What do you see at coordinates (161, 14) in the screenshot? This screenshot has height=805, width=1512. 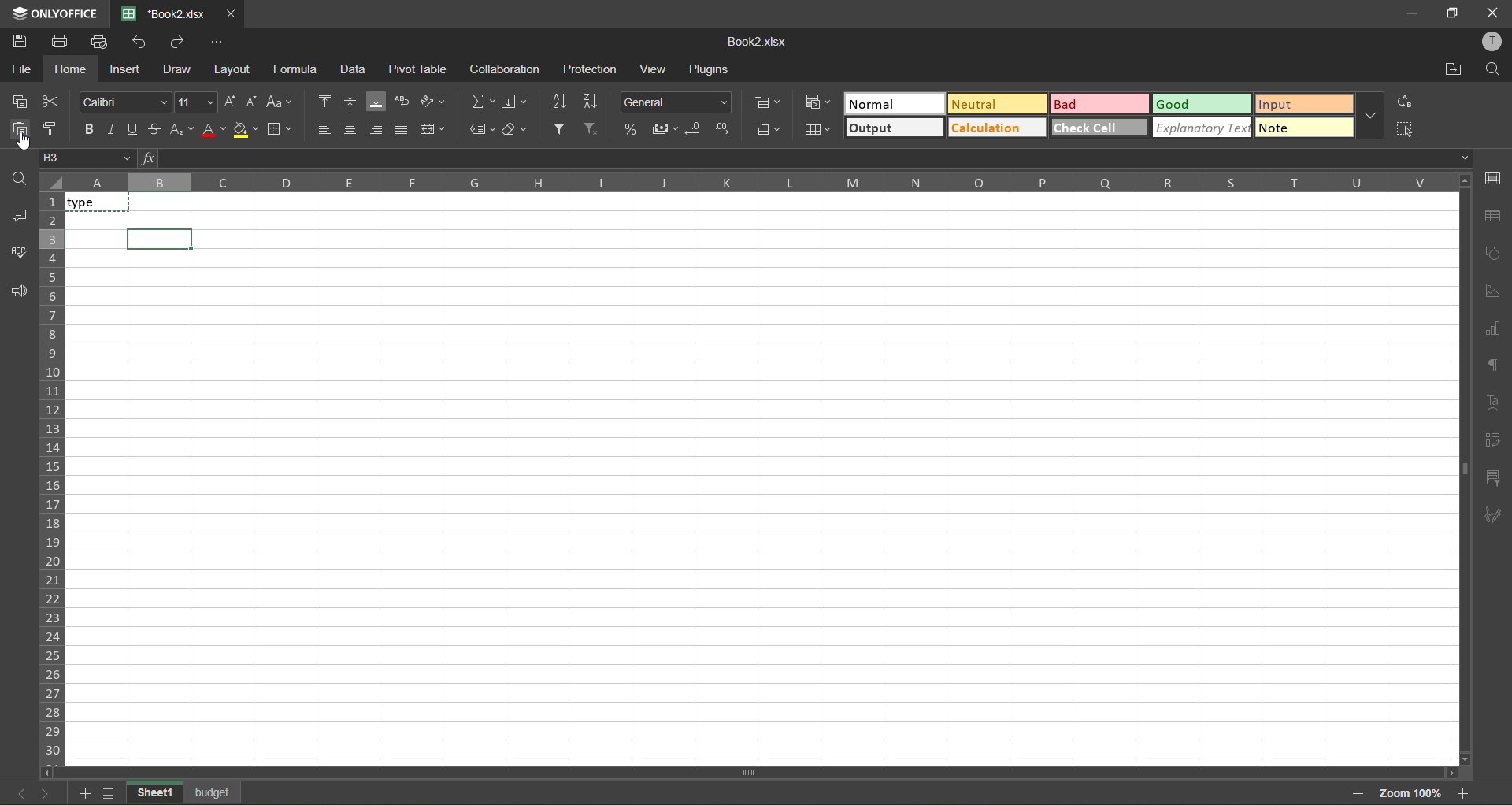 I see `filename` at bounding box center [161, 14].